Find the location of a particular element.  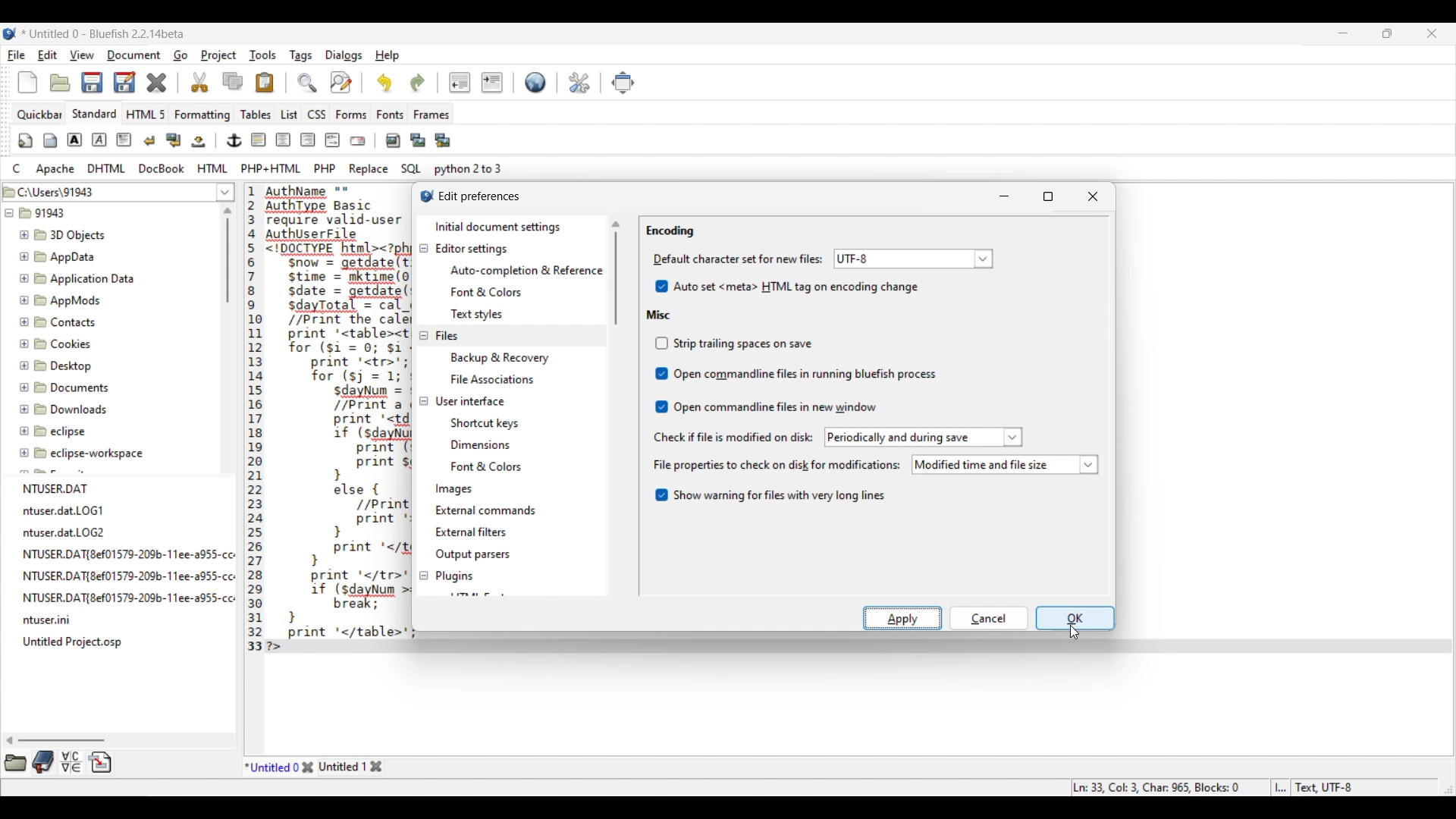

Close tab is located at coordinates (308, 767).